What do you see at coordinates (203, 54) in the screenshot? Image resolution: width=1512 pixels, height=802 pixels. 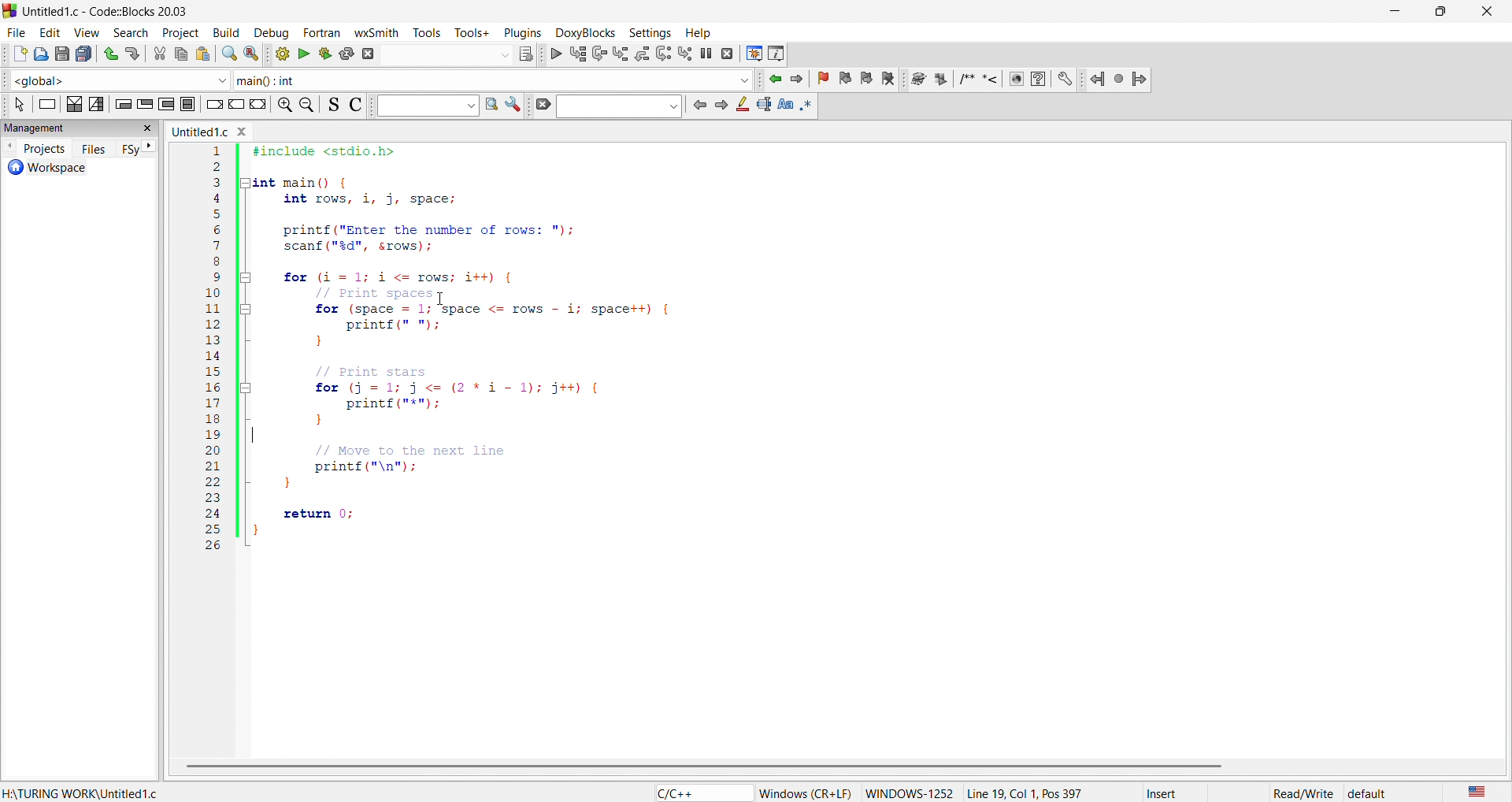 I see `paste` at bounding box center [203, 54].